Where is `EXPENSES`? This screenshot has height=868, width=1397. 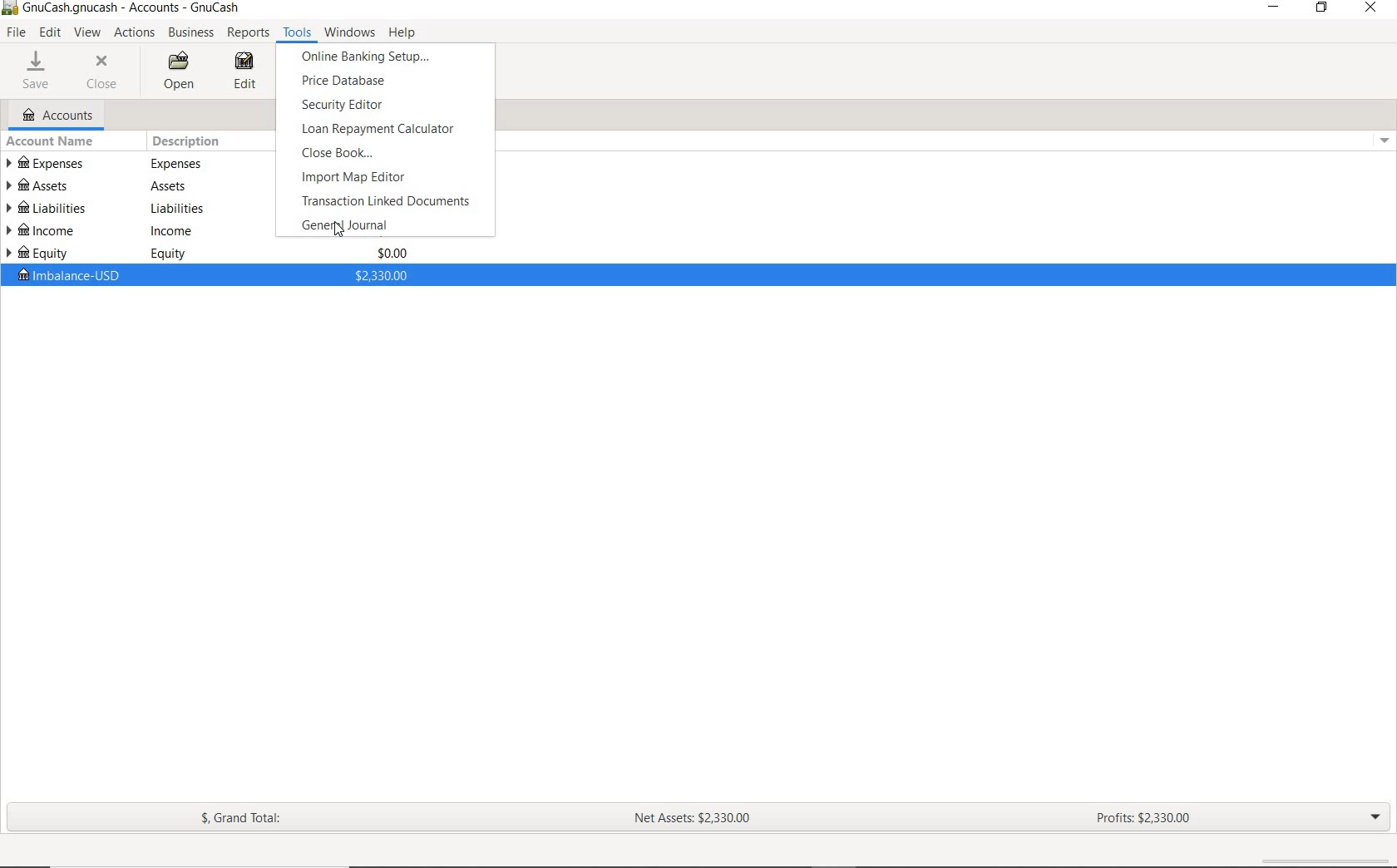 EXPENSES is located at coordinates (138, 165).